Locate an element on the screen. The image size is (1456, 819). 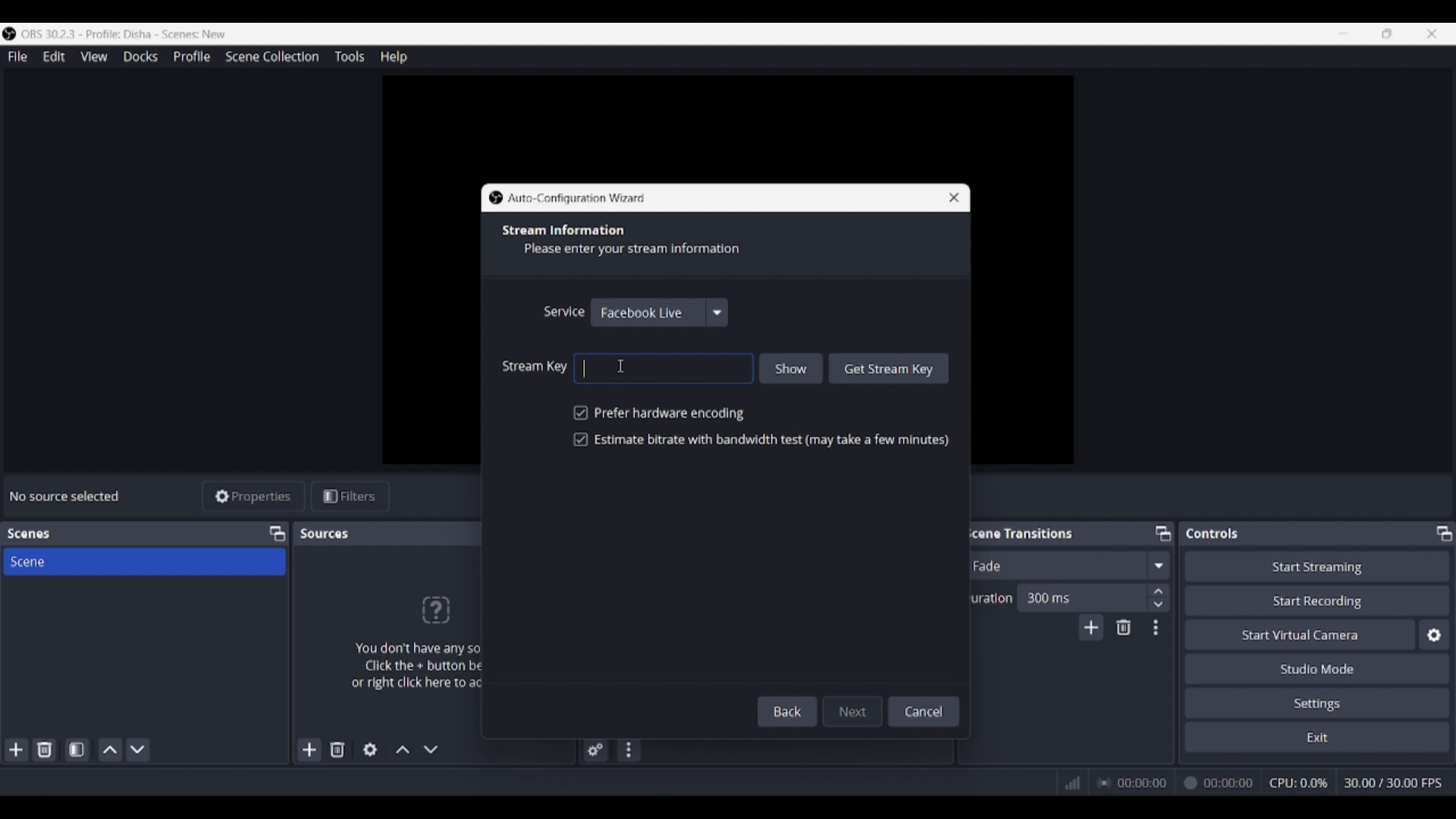
Settings is located at coordinates (1318, 702).